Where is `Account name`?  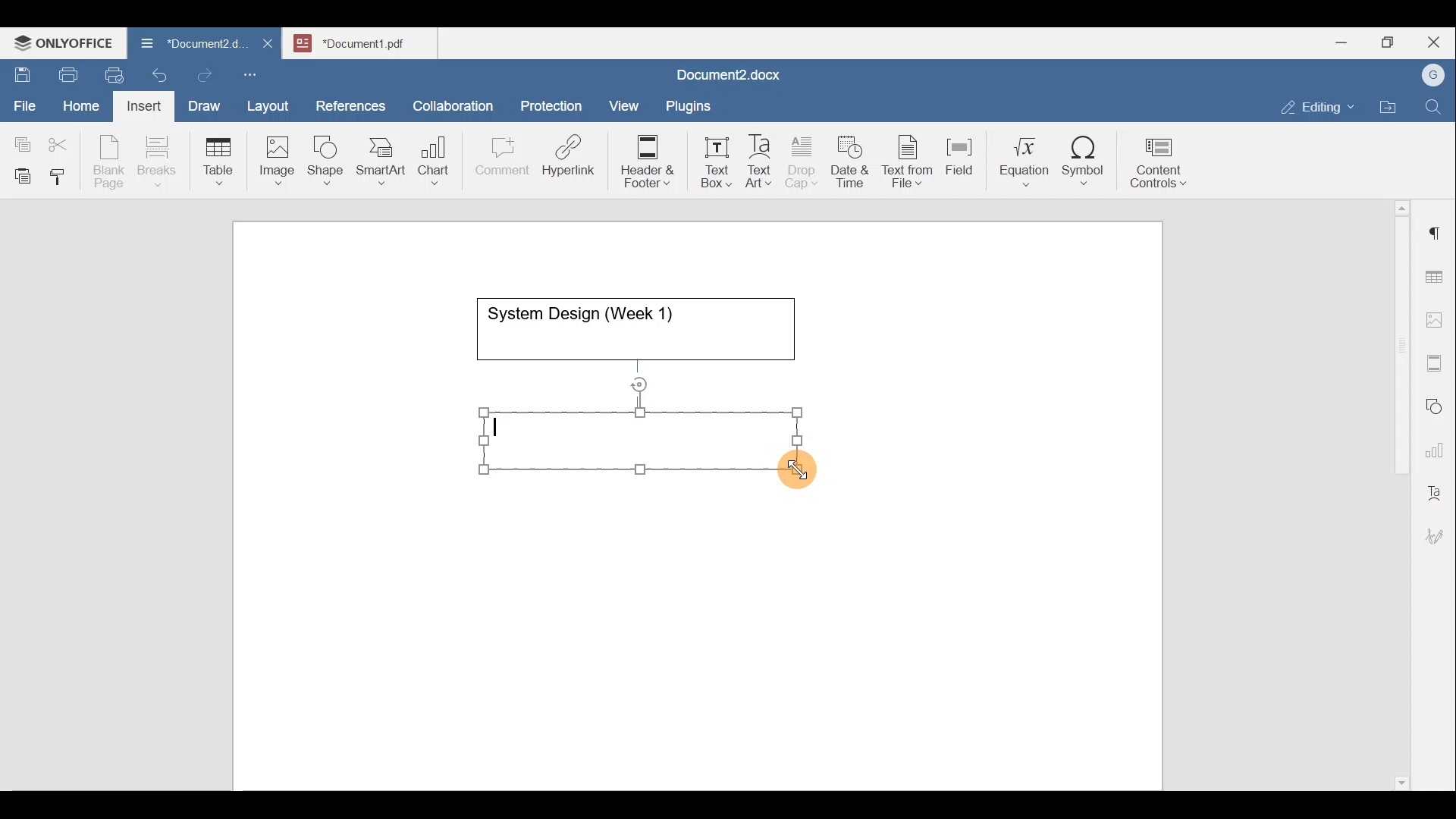 Account name is located at coordinates (1429, 76).